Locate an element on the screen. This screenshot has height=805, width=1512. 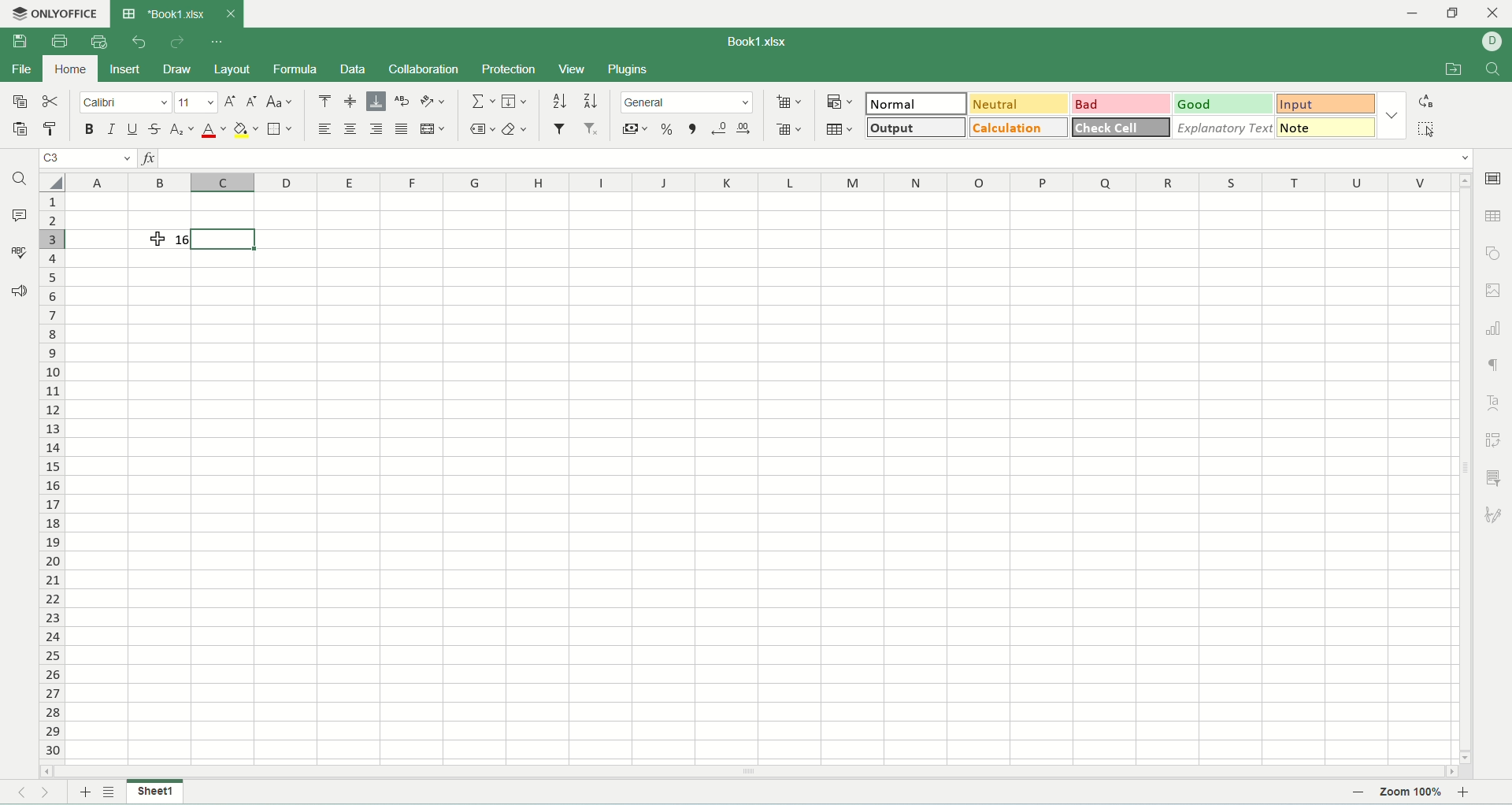
home is located at coordinates (68, 68).